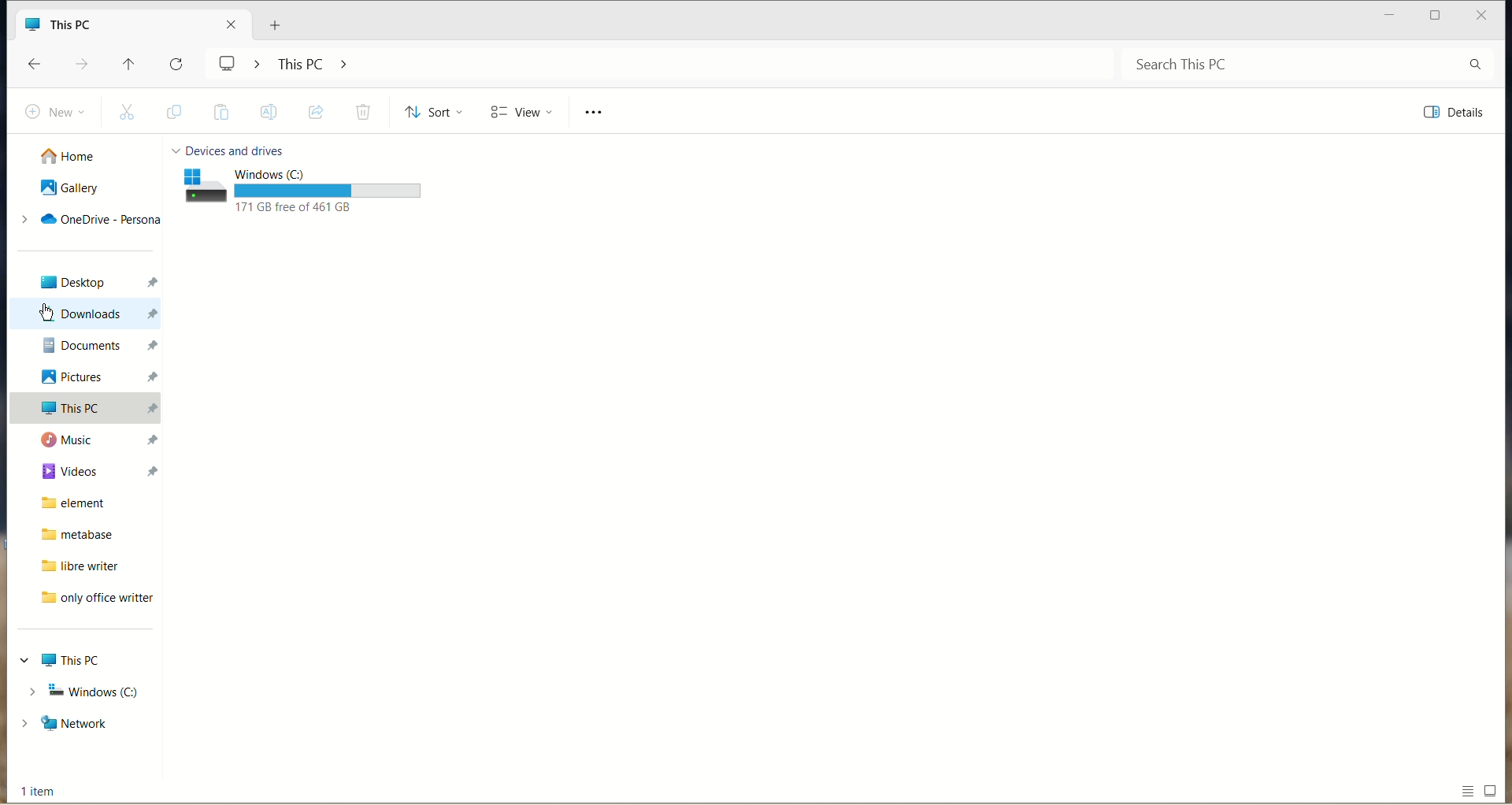  I want to click on downloads, so click(89, 313).